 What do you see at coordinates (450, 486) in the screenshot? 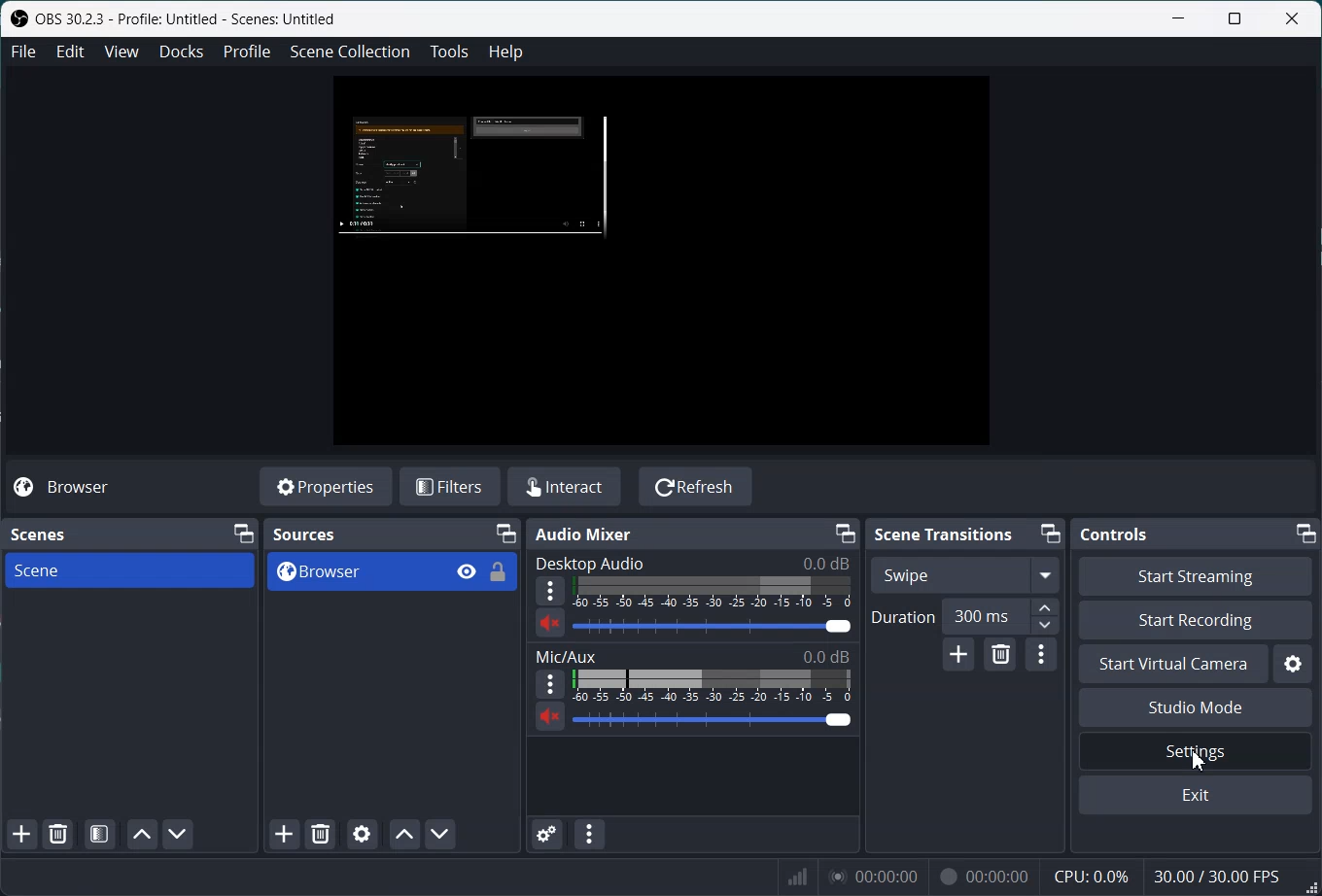
I see `Filters` at bounding box center [450, 486].